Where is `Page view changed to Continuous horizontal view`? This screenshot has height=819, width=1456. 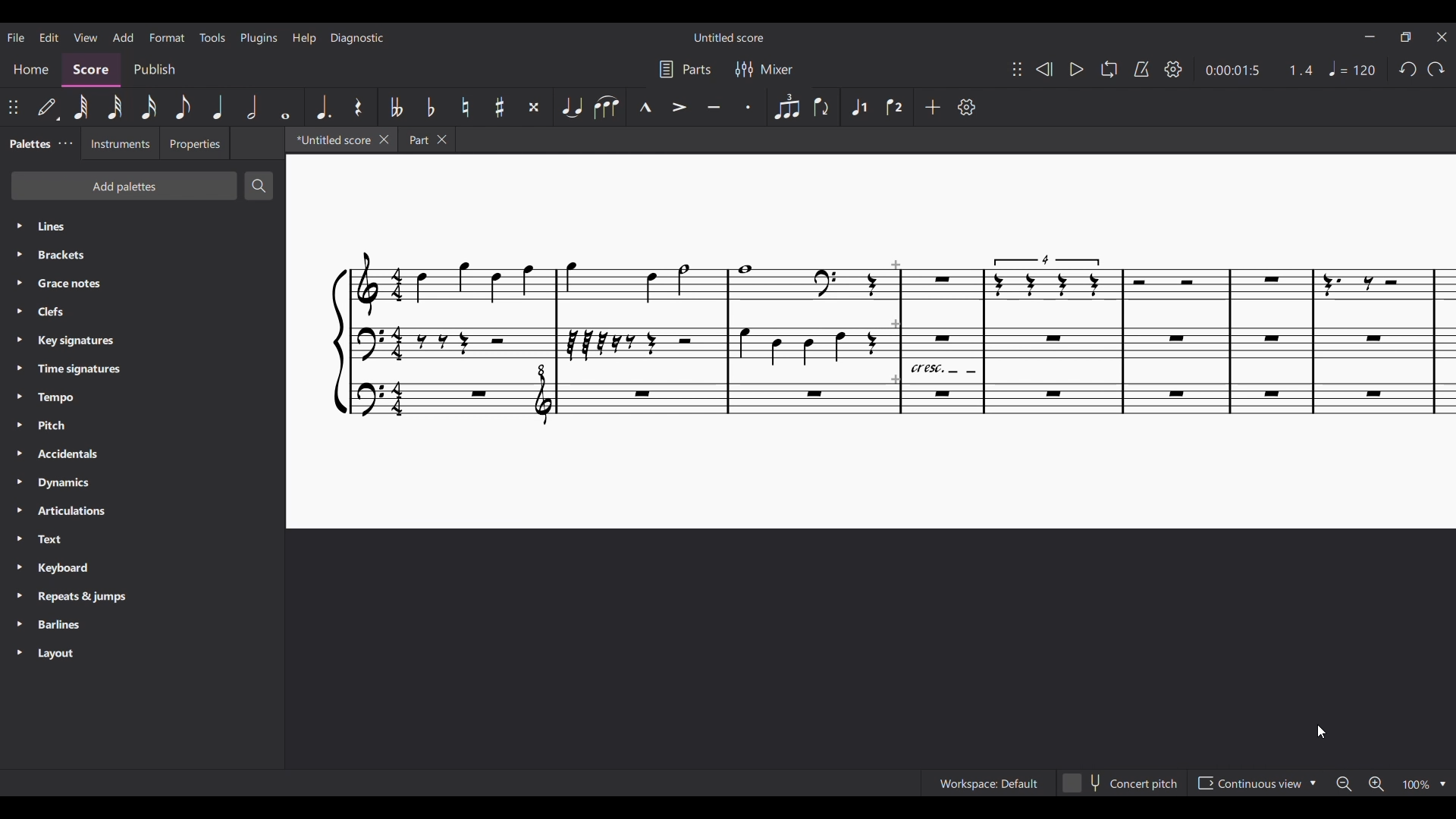 Page view changed to Continuous horizontal view is located at coordinates (871, 342).